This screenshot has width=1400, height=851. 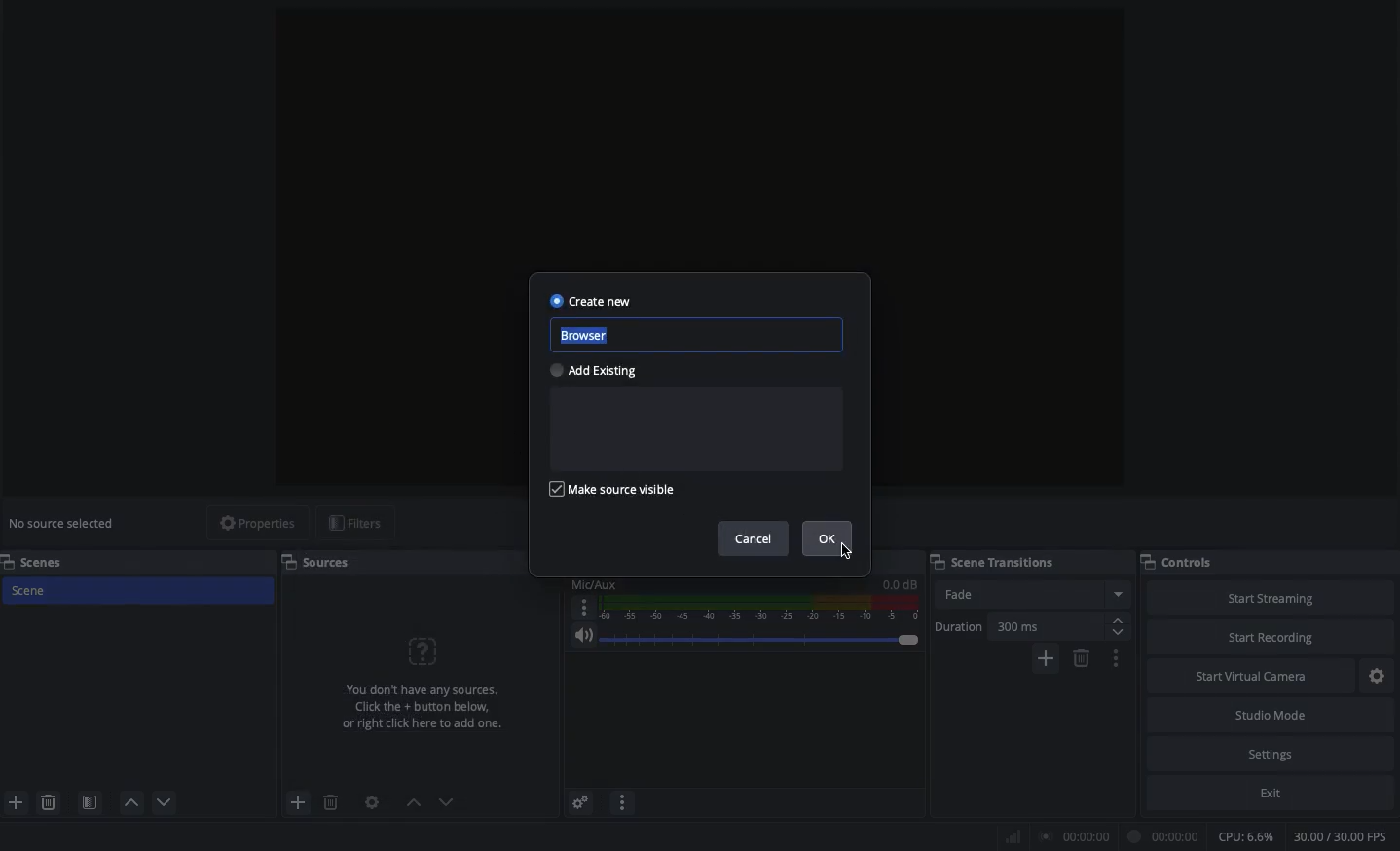 I want to click on Add existing , so click(x=600, y=372).